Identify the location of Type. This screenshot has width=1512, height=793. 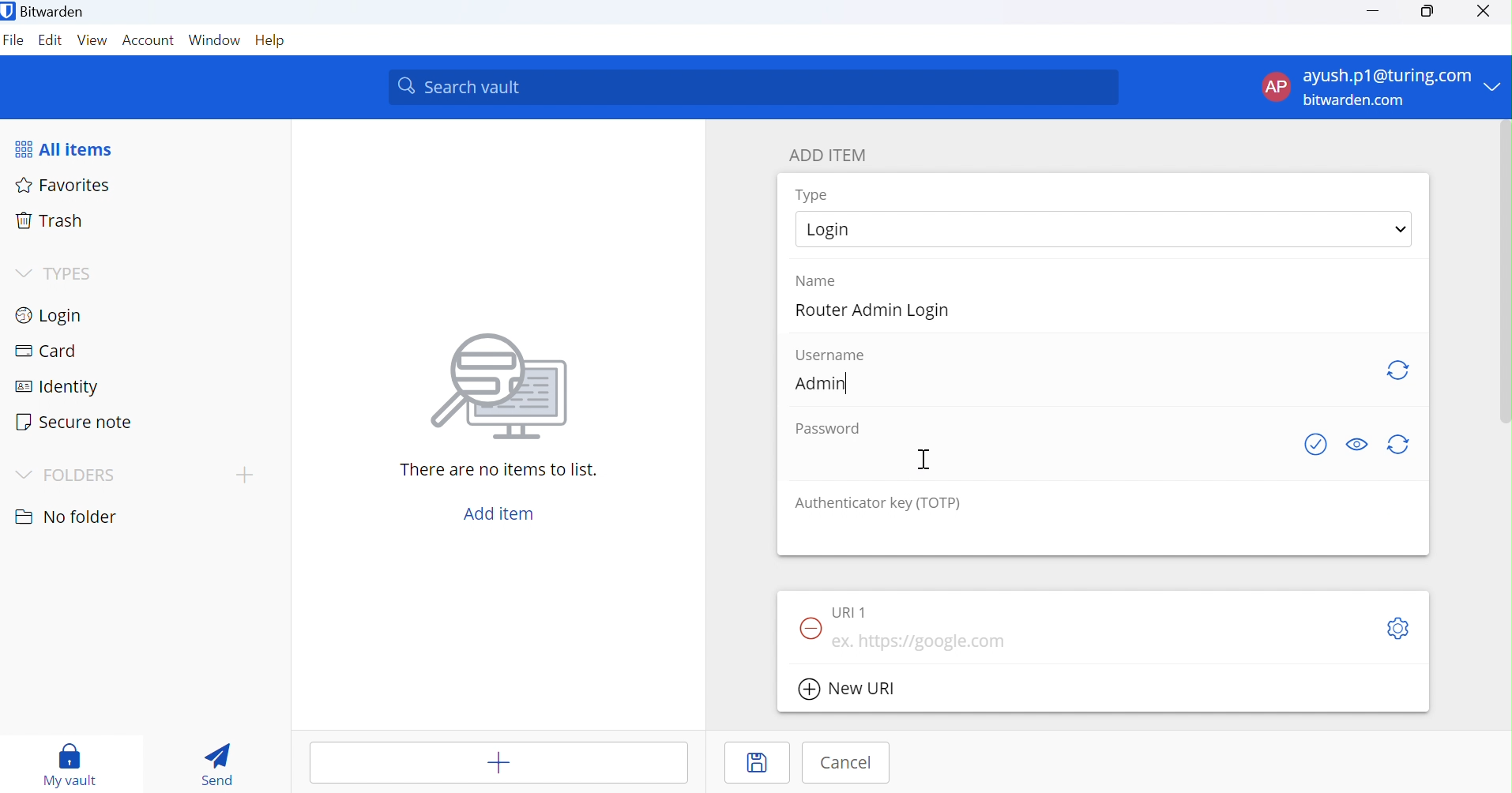
(812, 194).